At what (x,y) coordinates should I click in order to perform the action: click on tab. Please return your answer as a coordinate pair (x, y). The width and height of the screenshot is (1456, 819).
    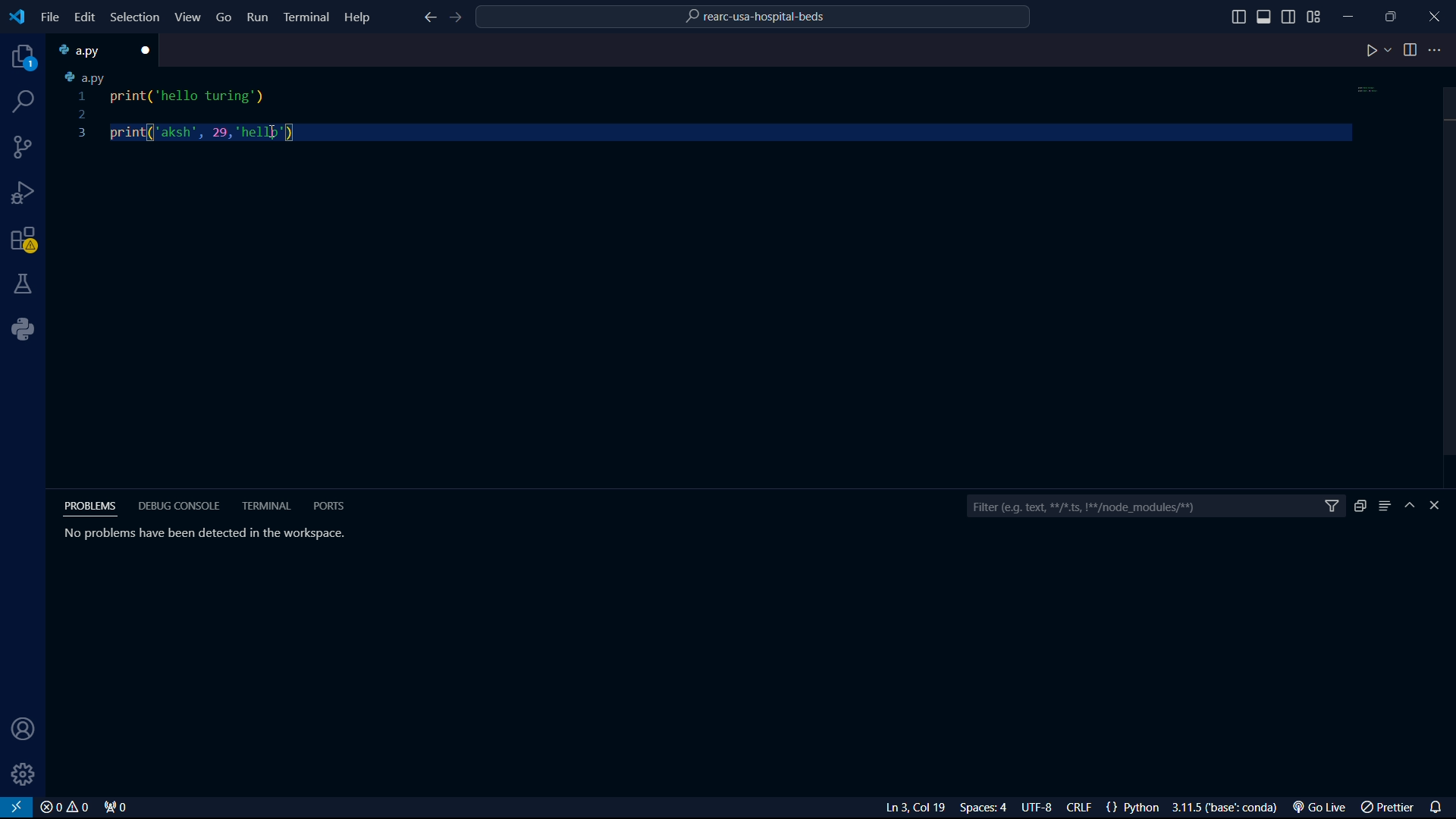
    Looking at the image, I should click on (92, 50).